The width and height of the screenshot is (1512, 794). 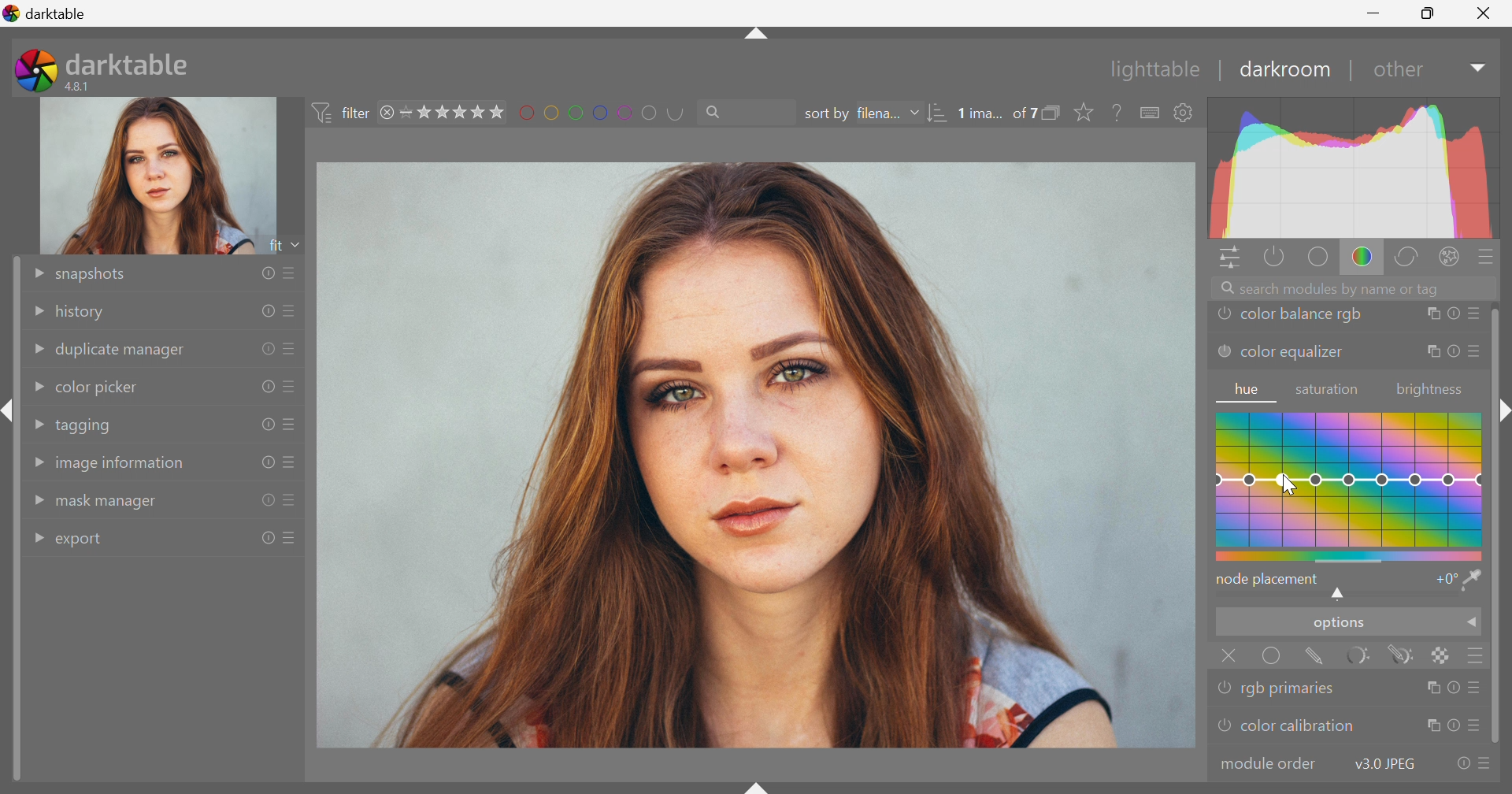 What do you see at coordinates (1478, 688) in the screenshot?
I see `presets` at bounding box center [1478, 688].